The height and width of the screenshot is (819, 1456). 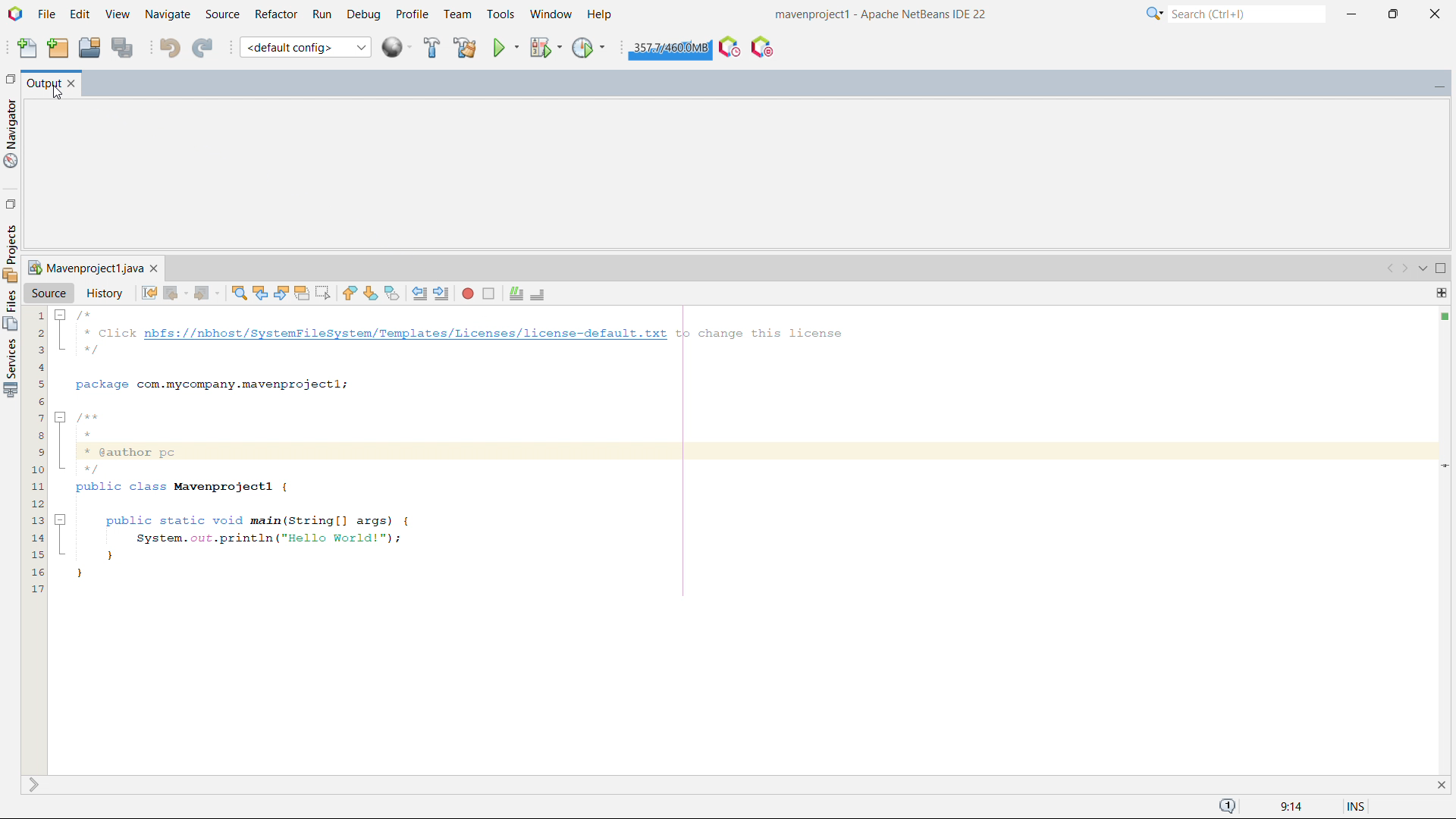 I want to click on back, so click(x=175, y=293).